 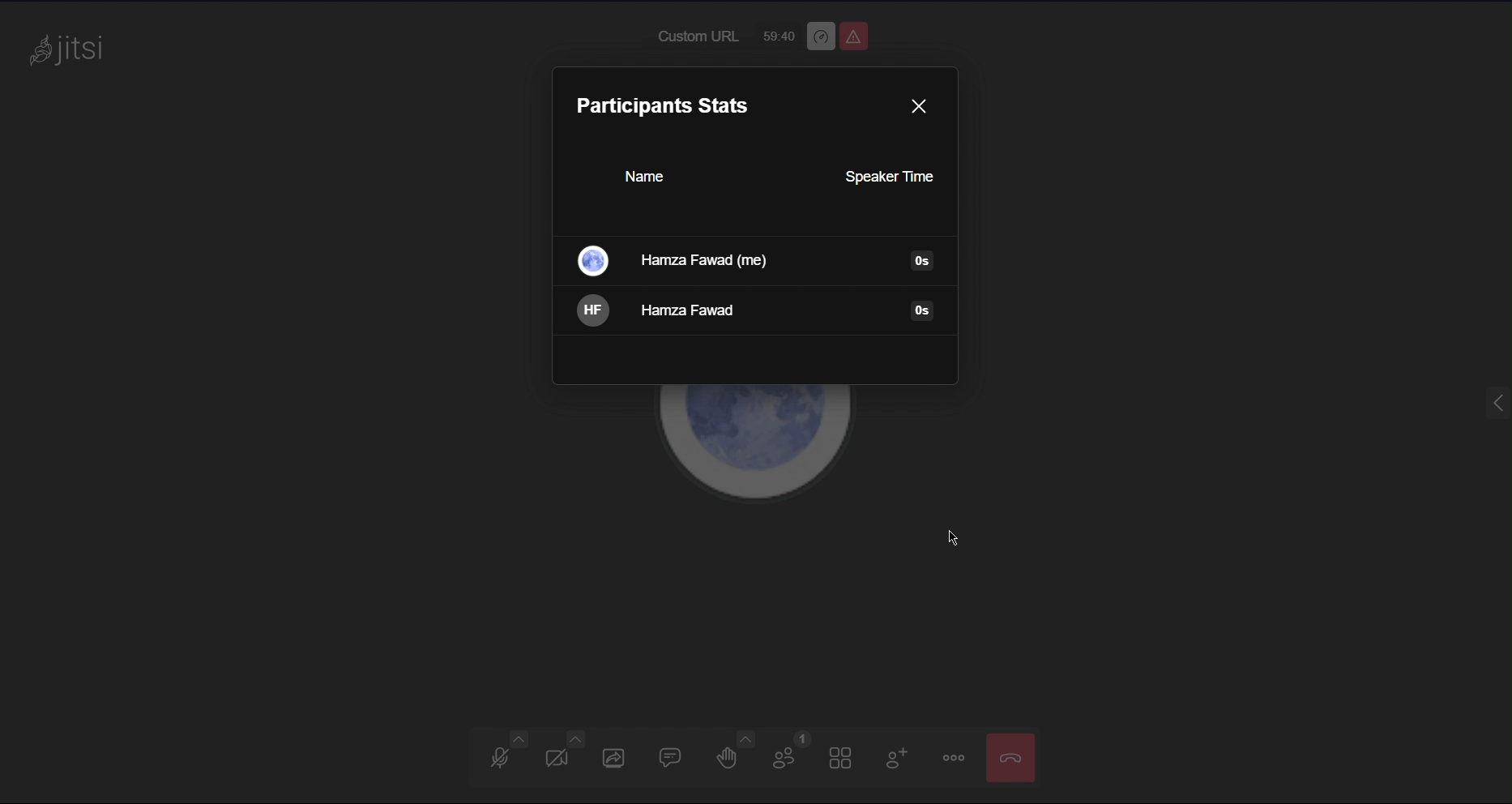 I want to click on Custom URL, so click(x=697, y=36).